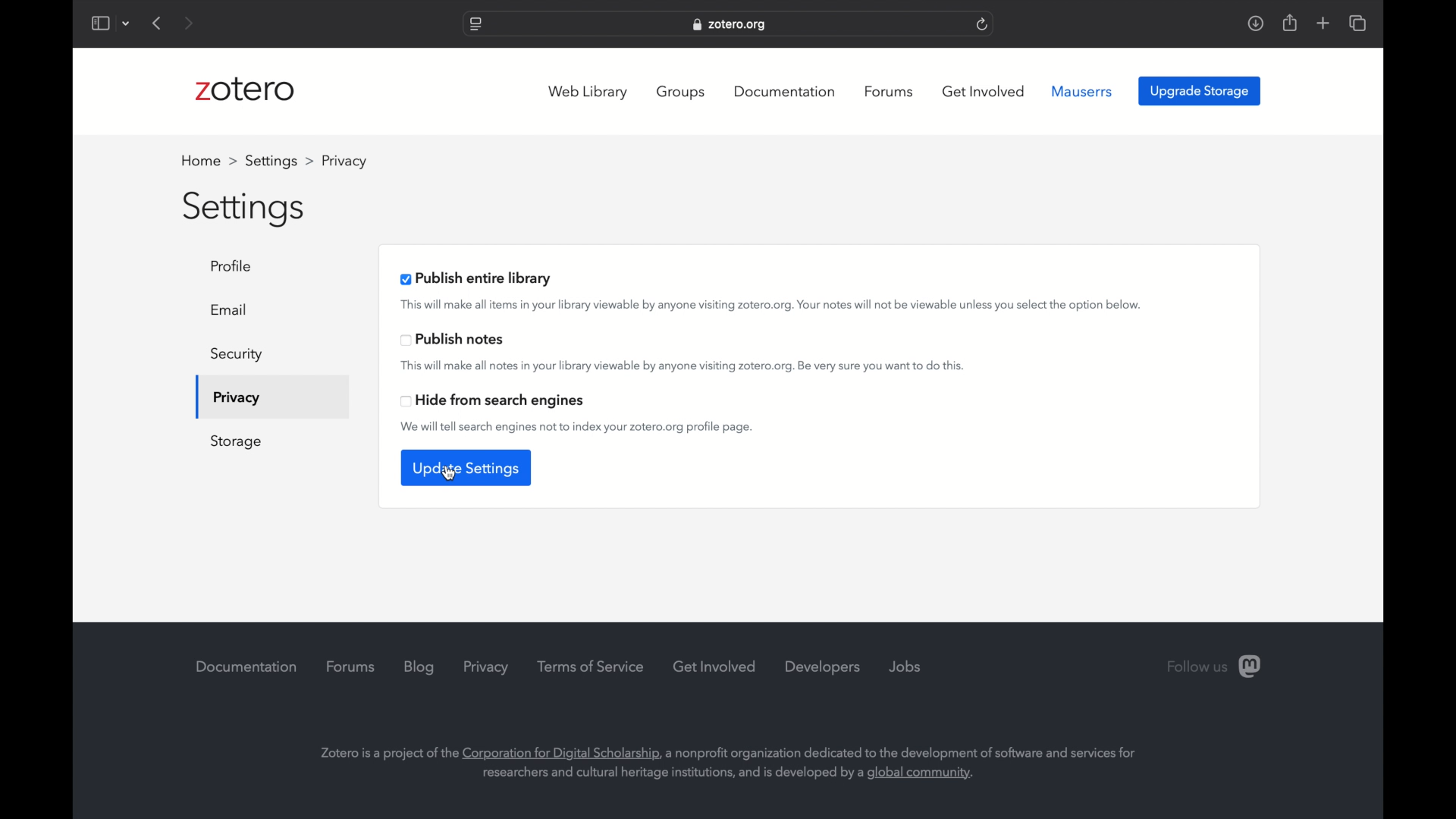 The height and width of the screenshot is (819, 1456). What do you see at coordinates (467, 468) in the screenshot?
I see `update settings` at bounding box center [467, 468].